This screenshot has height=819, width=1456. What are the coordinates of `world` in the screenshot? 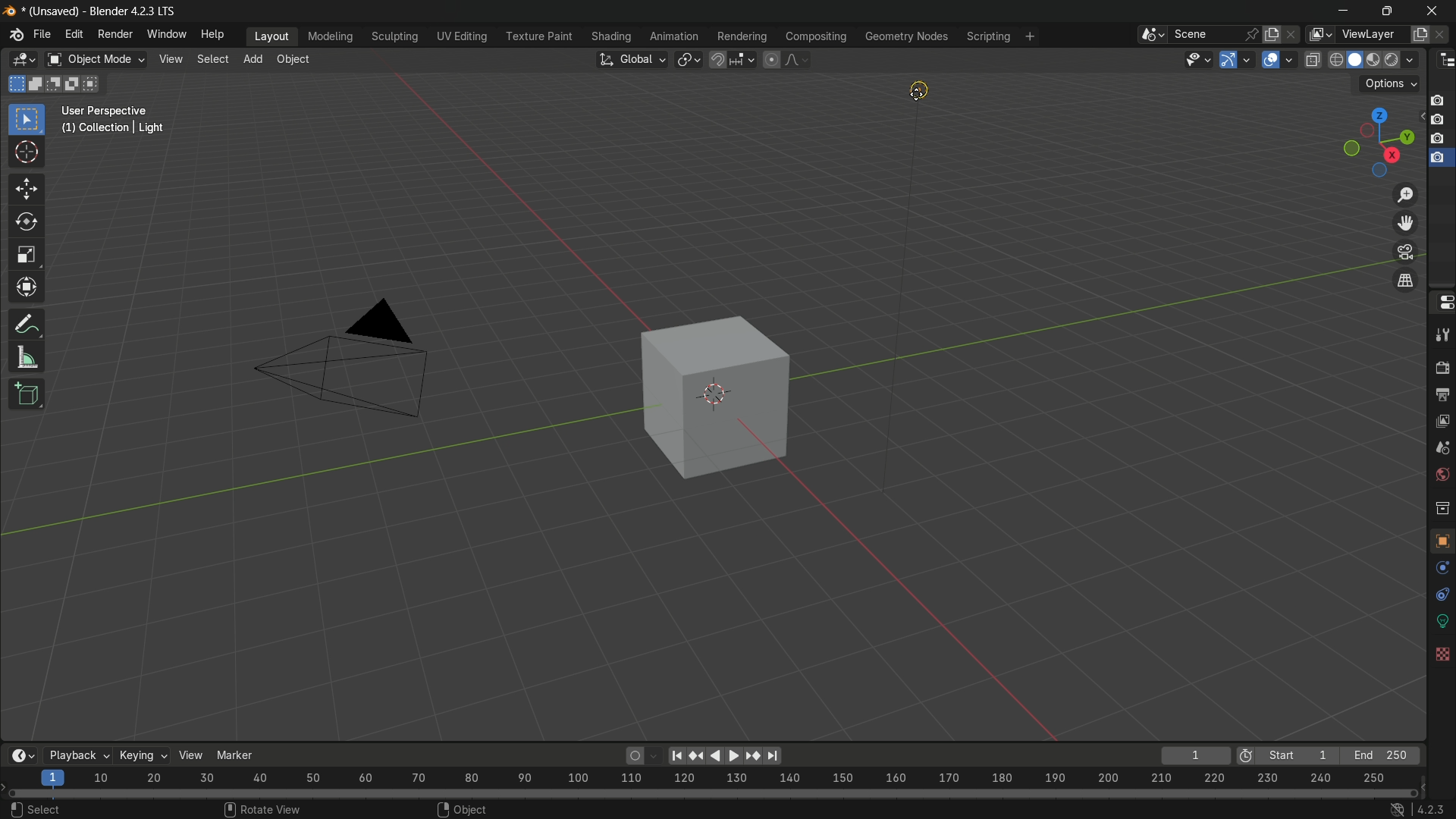 It's located at (1442, 476).